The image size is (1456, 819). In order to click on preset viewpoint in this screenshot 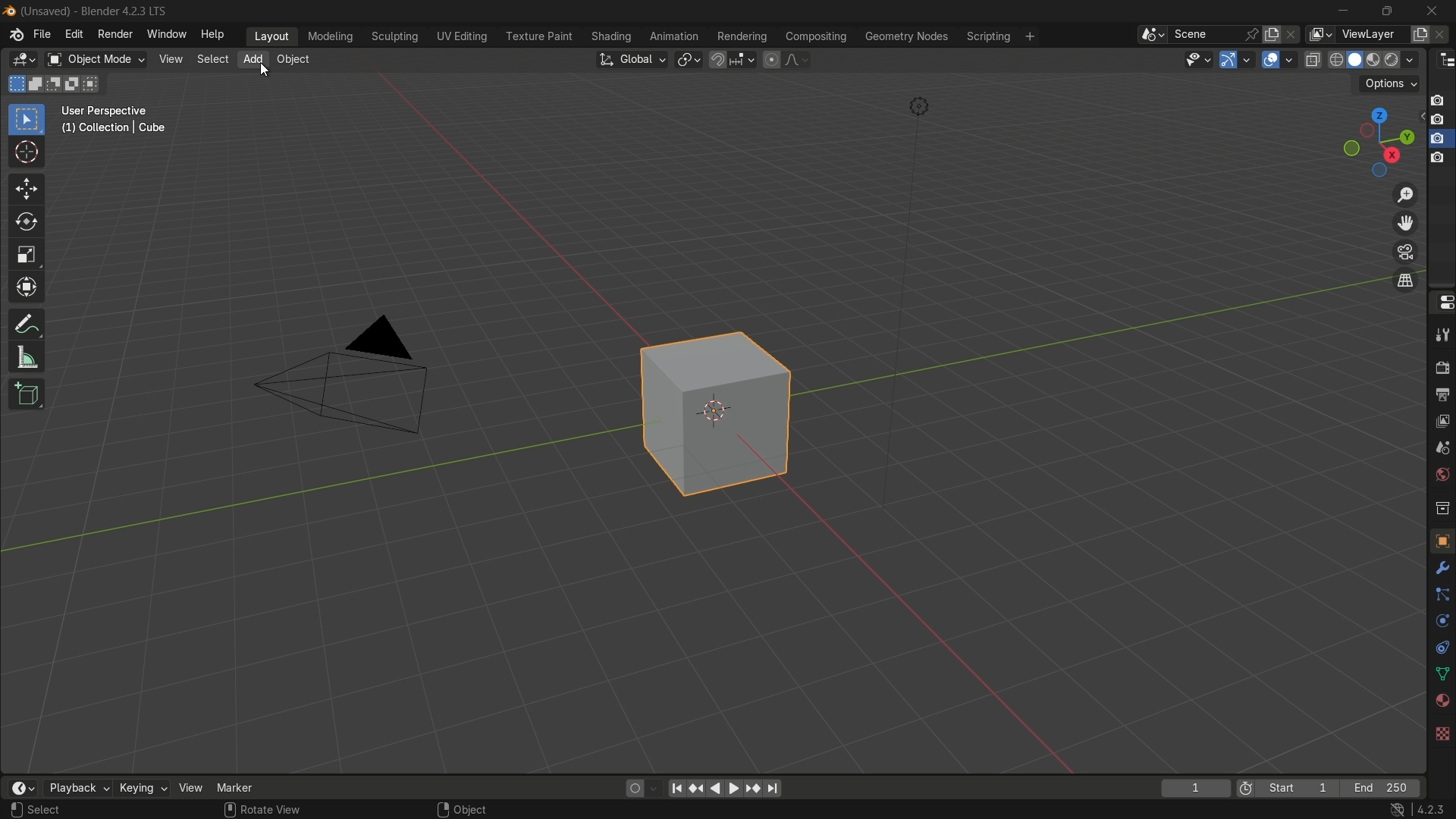, I will do `click(1378, 143)`.